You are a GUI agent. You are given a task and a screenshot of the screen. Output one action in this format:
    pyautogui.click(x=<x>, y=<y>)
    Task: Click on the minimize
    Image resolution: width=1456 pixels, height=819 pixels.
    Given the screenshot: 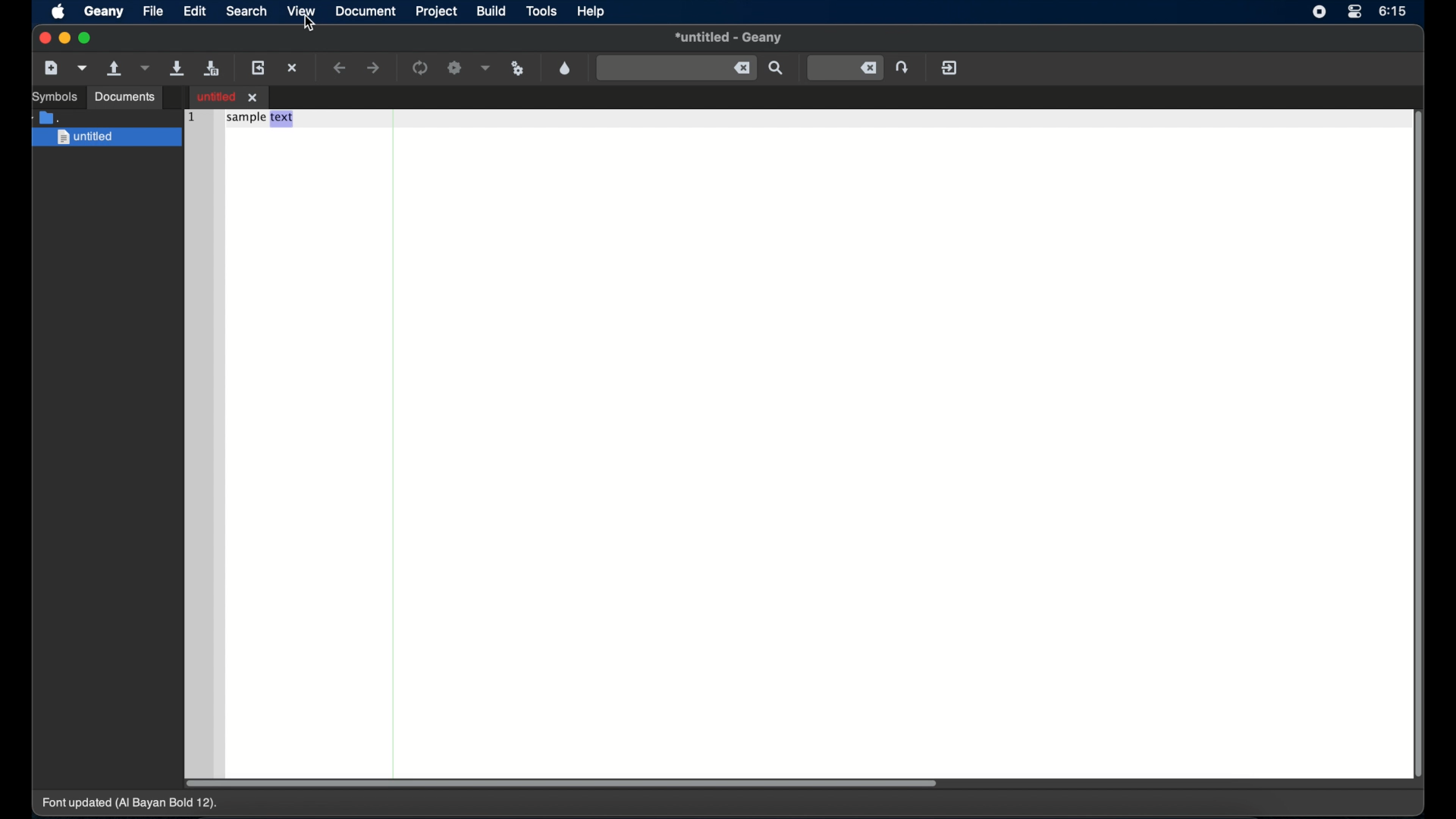 What is the action you would take?
    pyautogui.click(x=65, y=38)
    